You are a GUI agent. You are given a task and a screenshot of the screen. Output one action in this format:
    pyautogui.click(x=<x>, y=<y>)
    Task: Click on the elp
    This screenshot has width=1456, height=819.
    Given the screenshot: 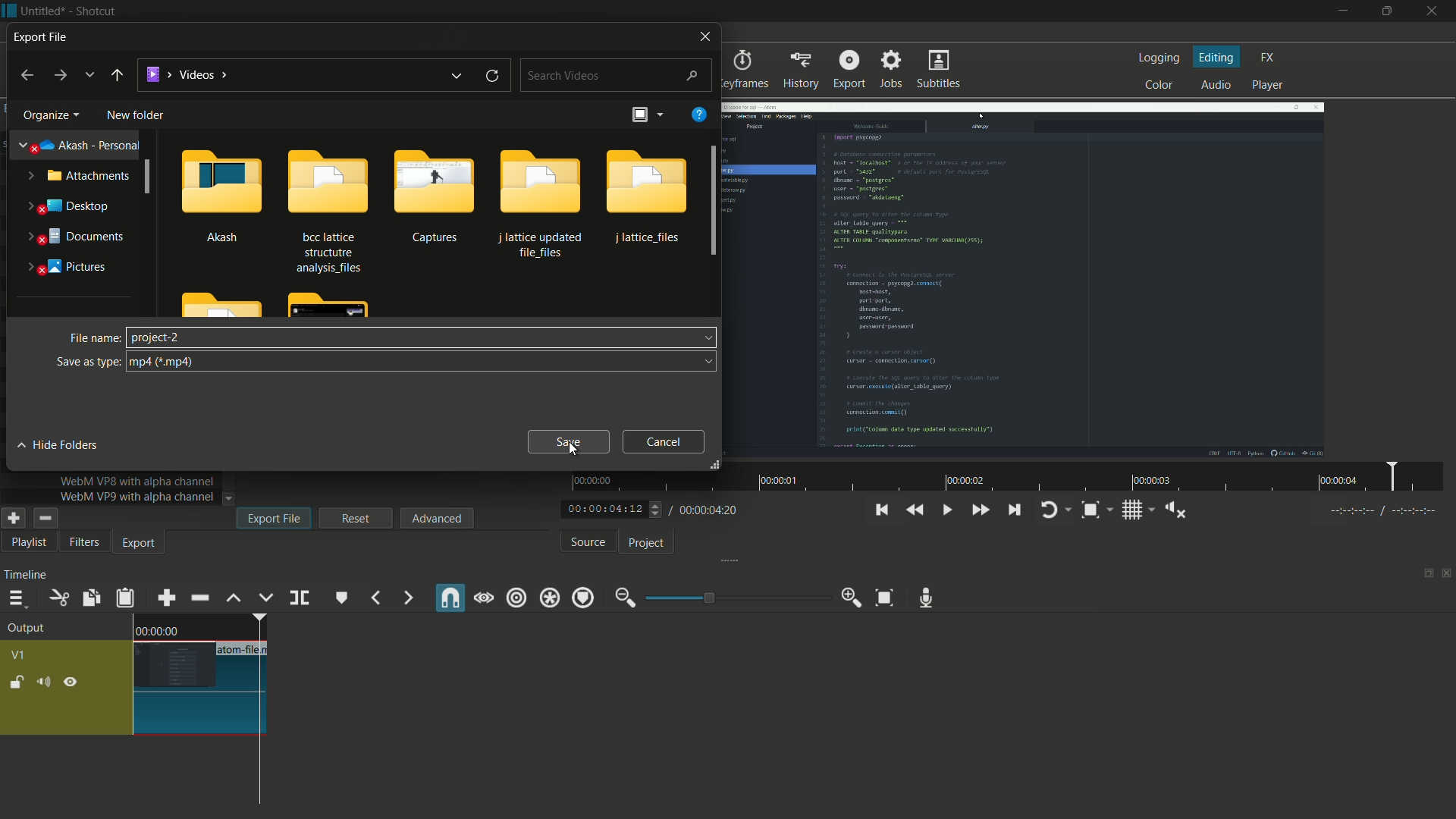 What is the action you would take?
    pyautogui.click(x=701, y=115)
    